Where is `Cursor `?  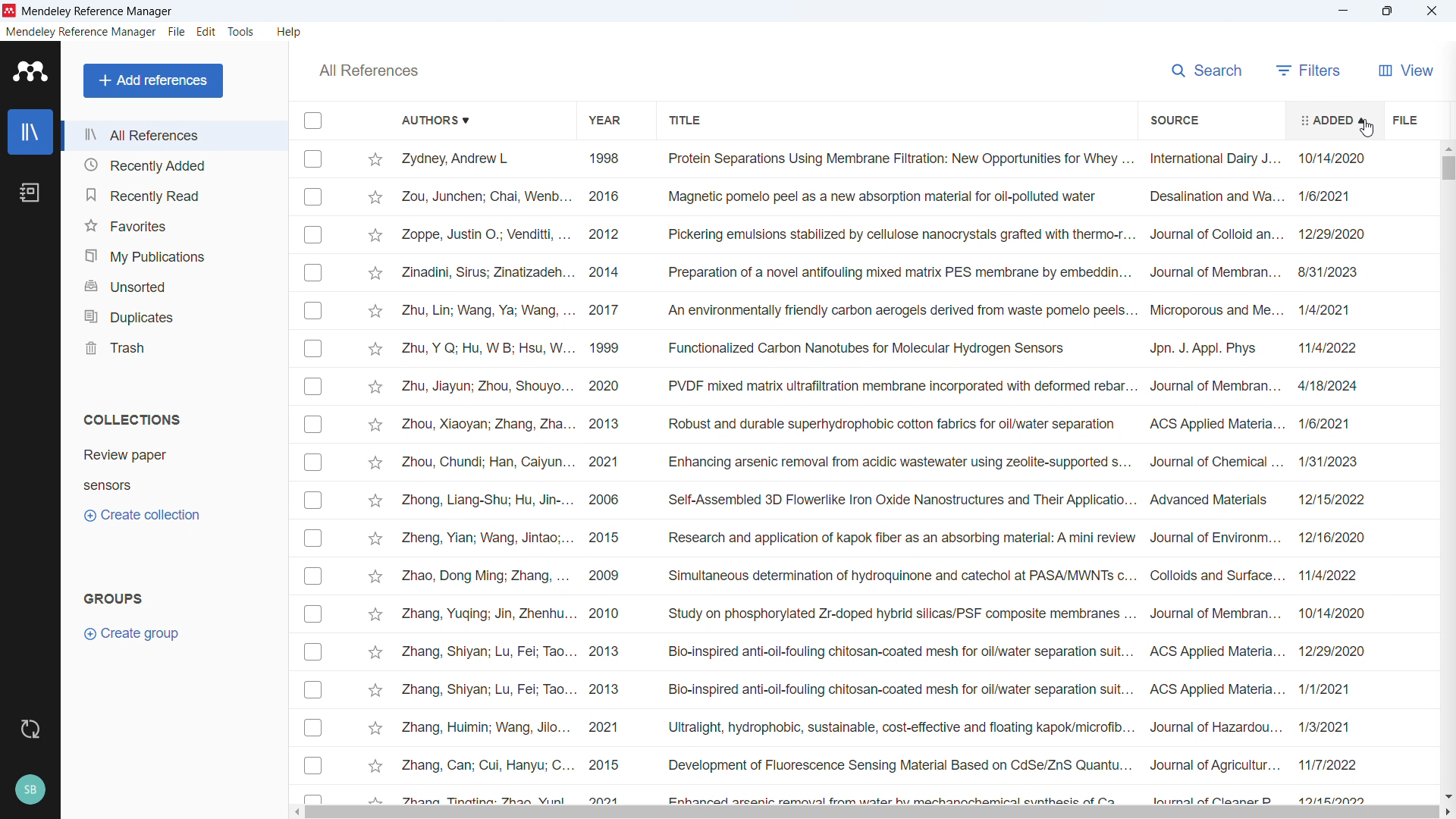
Cursor  is located at coordinates (1367, 129).